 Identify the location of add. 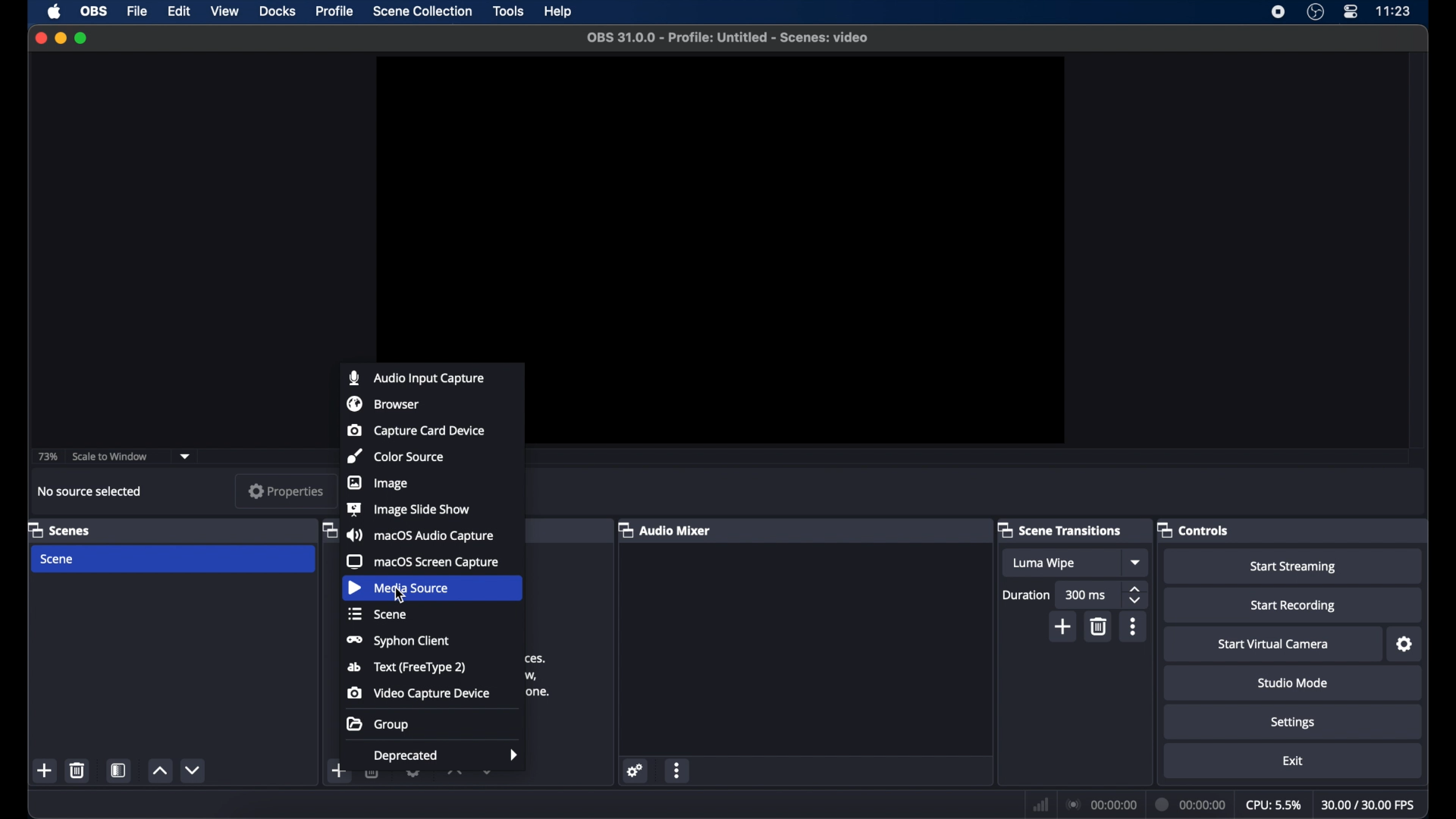
(338, 770).